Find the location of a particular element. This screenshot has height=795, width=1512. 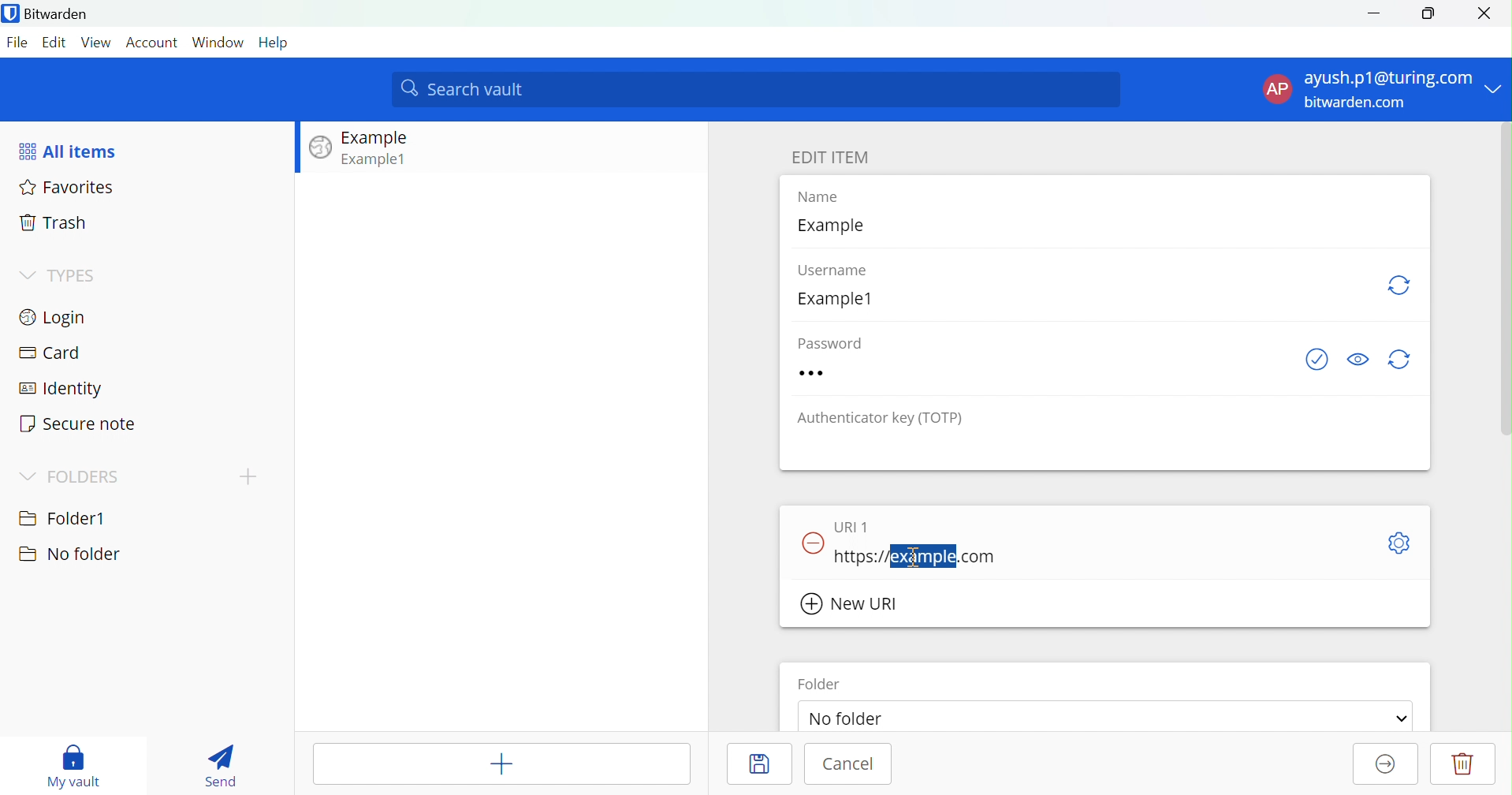

File is located at coordinates (20, 43).